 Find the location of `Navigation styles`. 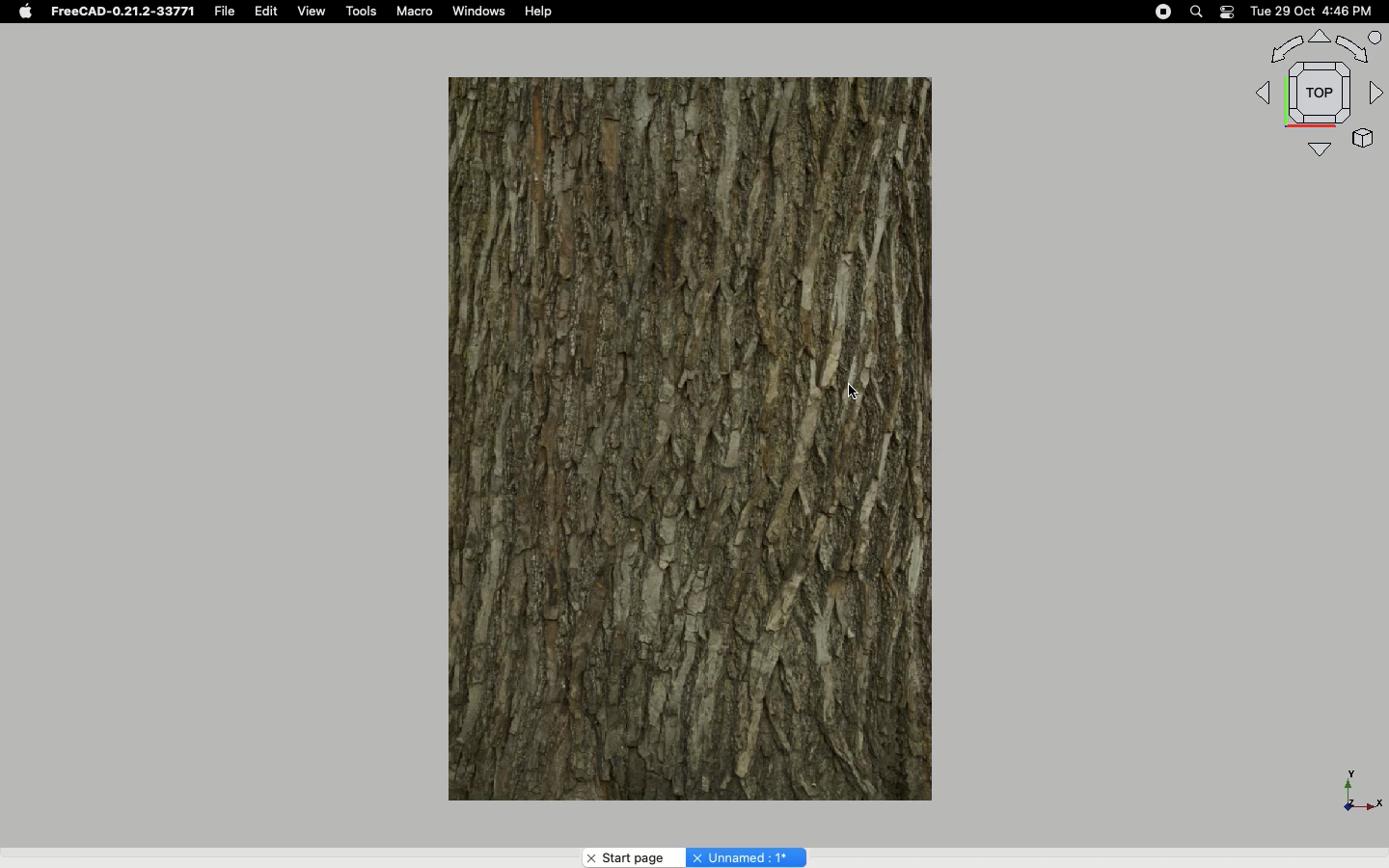

Navigation styles is located at coordinates (1316, 93).